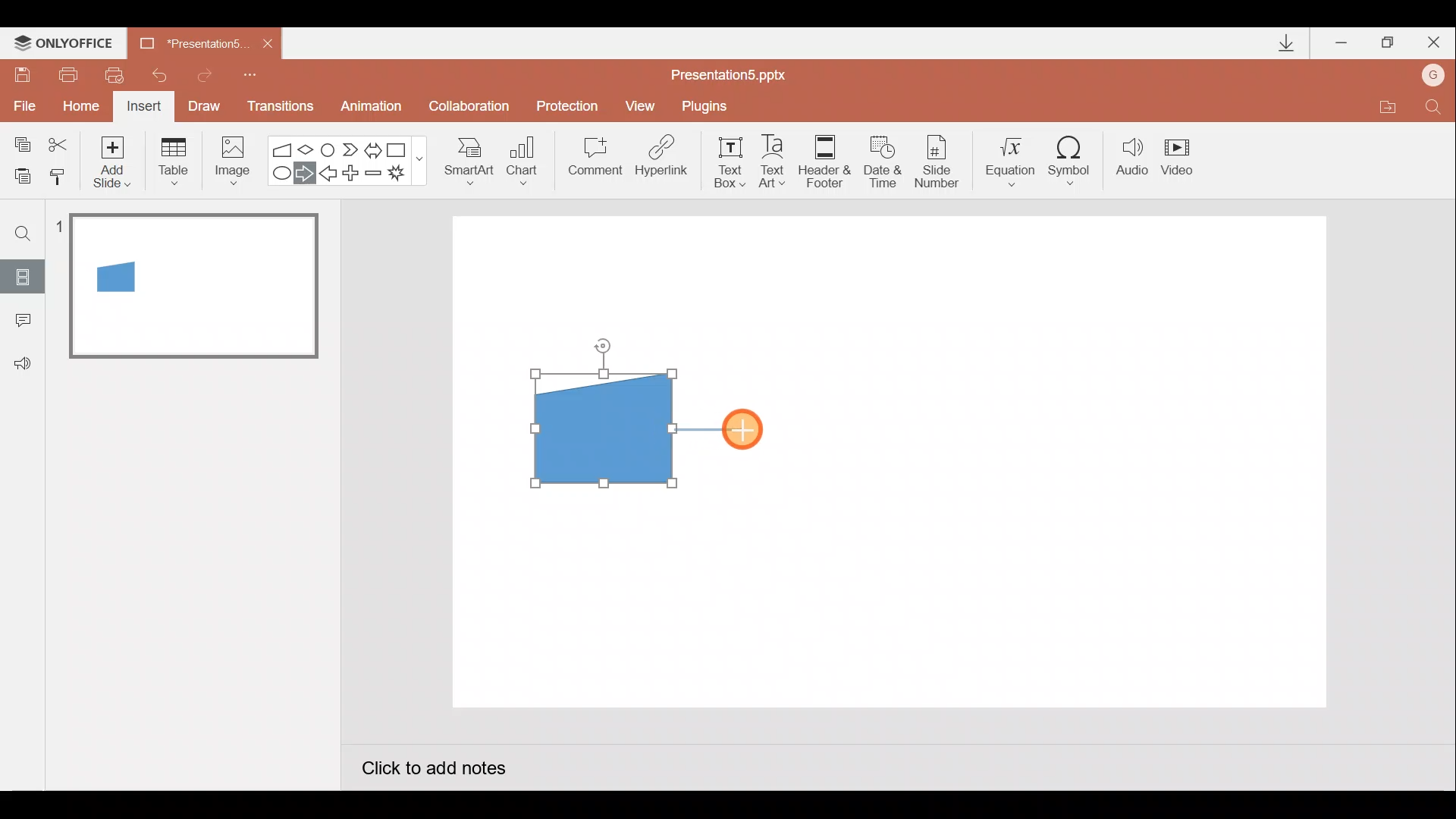 The height and width of the screenshot is (819, 1456). What do you see at coordinates (353, 175) in the screenshot?
I see `Plus` at bounding box center [353, 175].